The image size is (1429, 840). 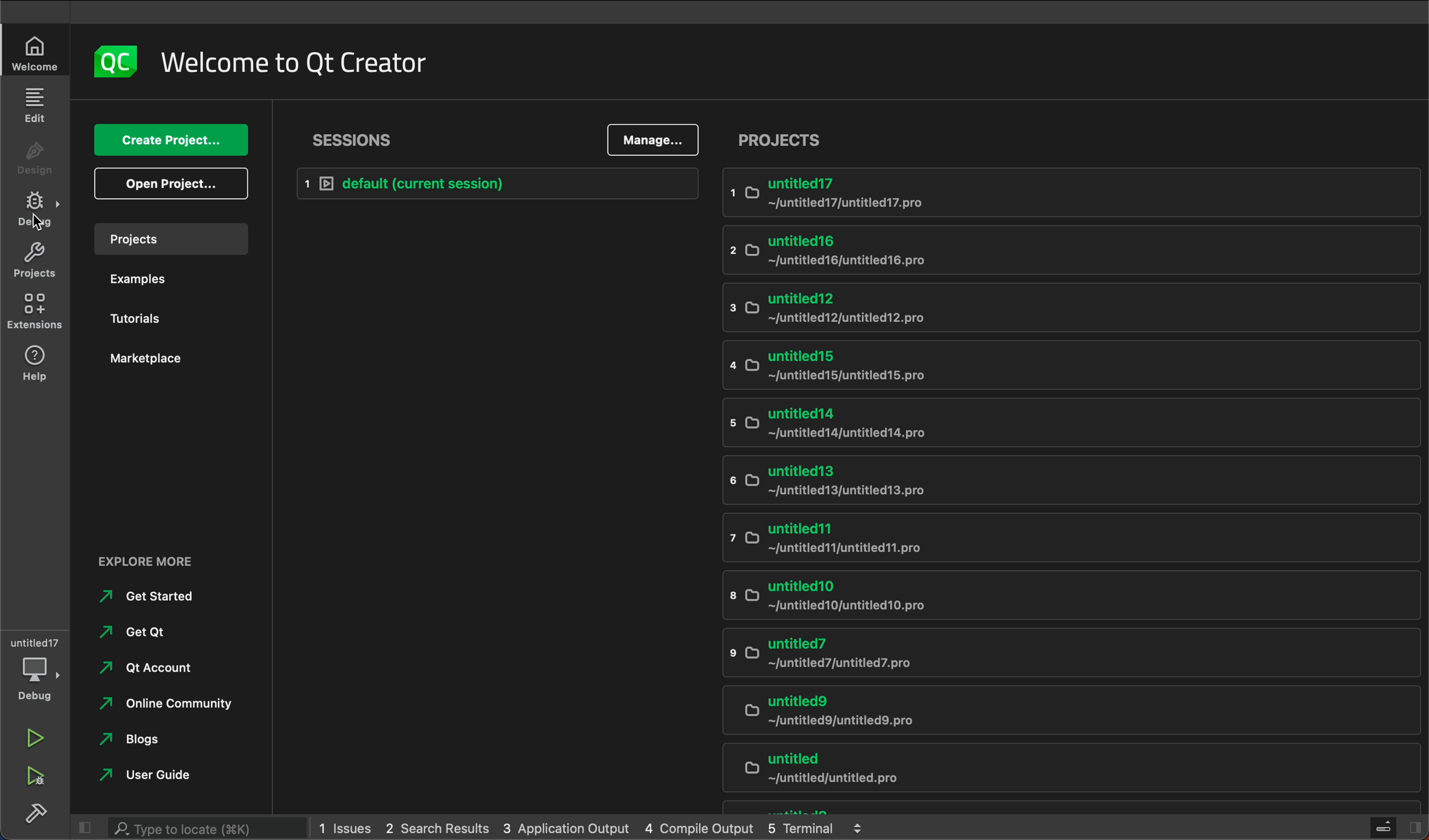 What do you see at coordinates (135, 632) in the screenshot?
I see `Get Qt` at bounding box center [135, 632].